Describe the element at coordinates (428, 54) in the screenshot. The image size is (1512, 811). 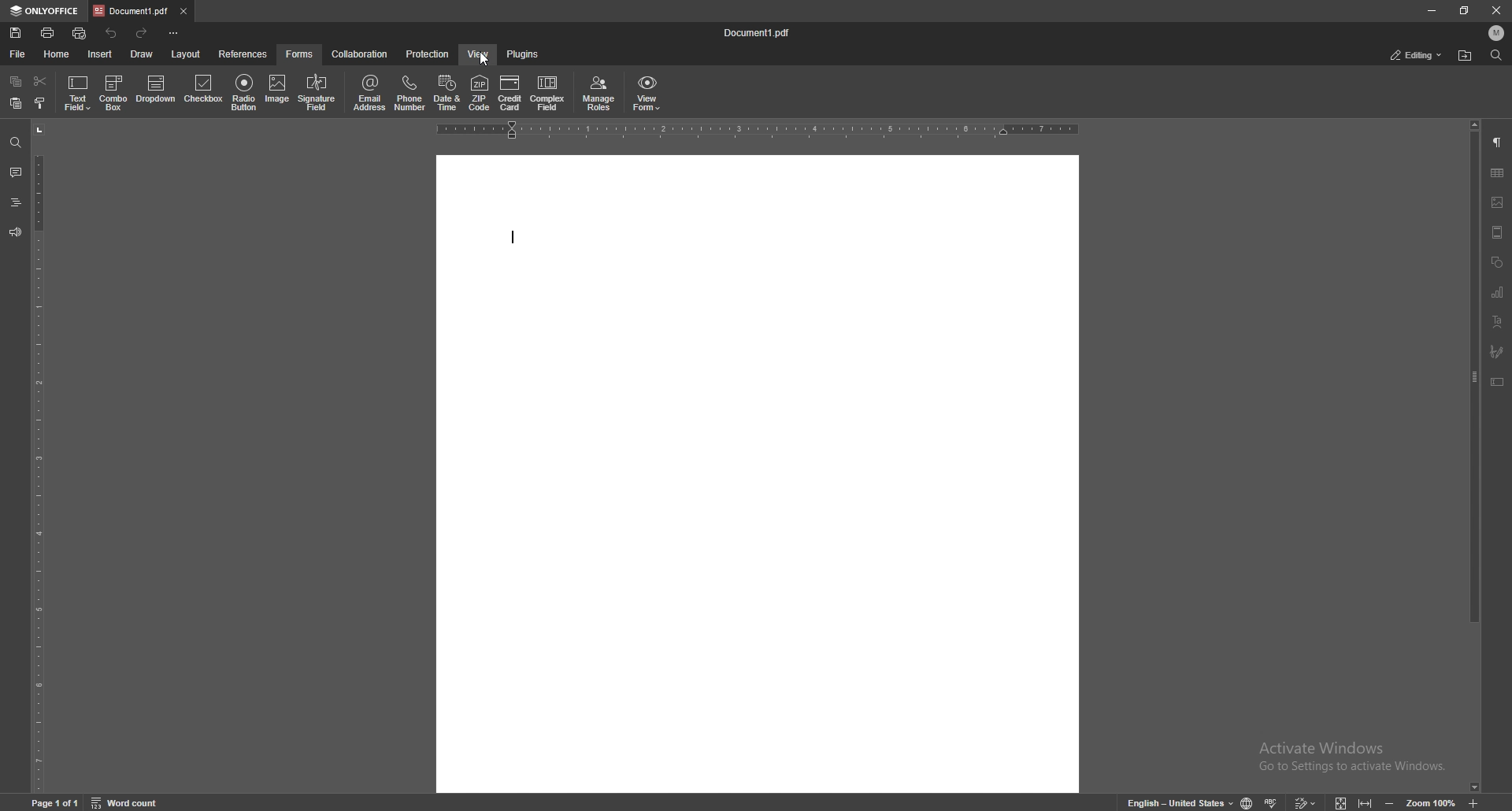
I see `protection` at that location.